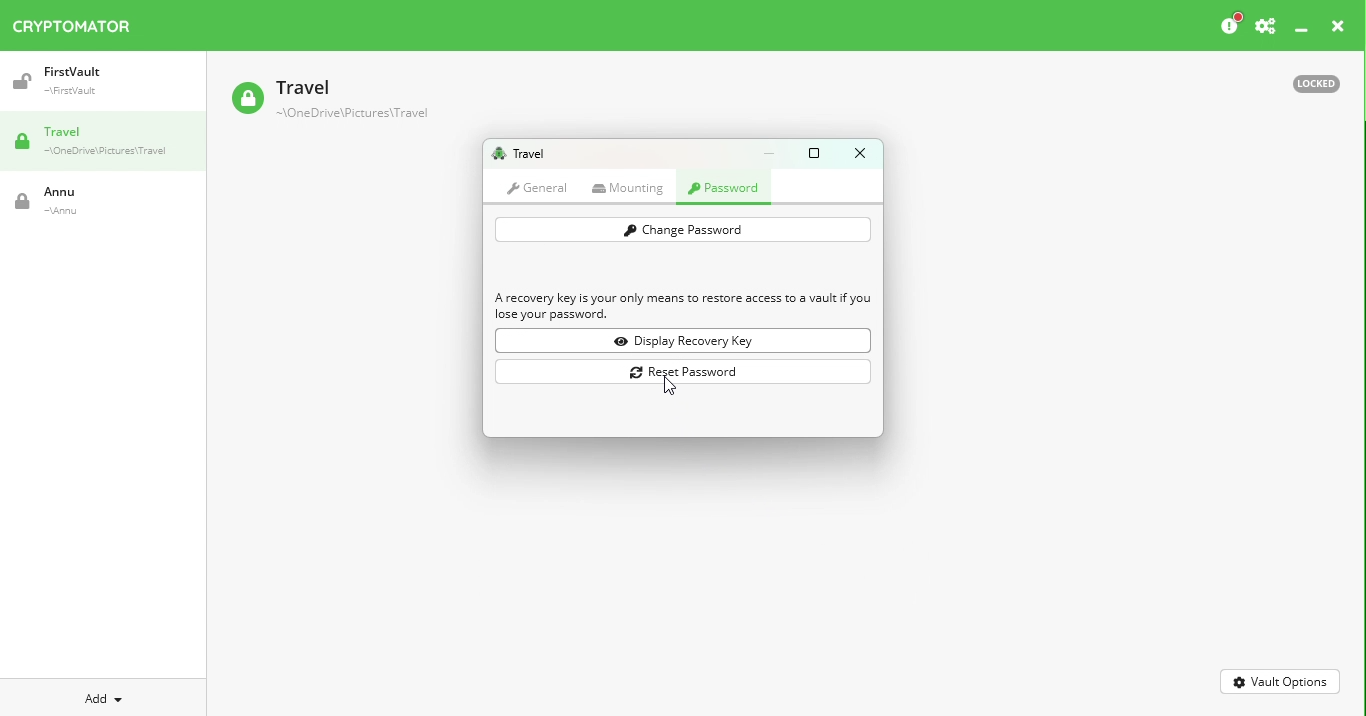 The width and height of the screenshot is (1366, 716). I want to click on Minimize, so click(1302, 31).